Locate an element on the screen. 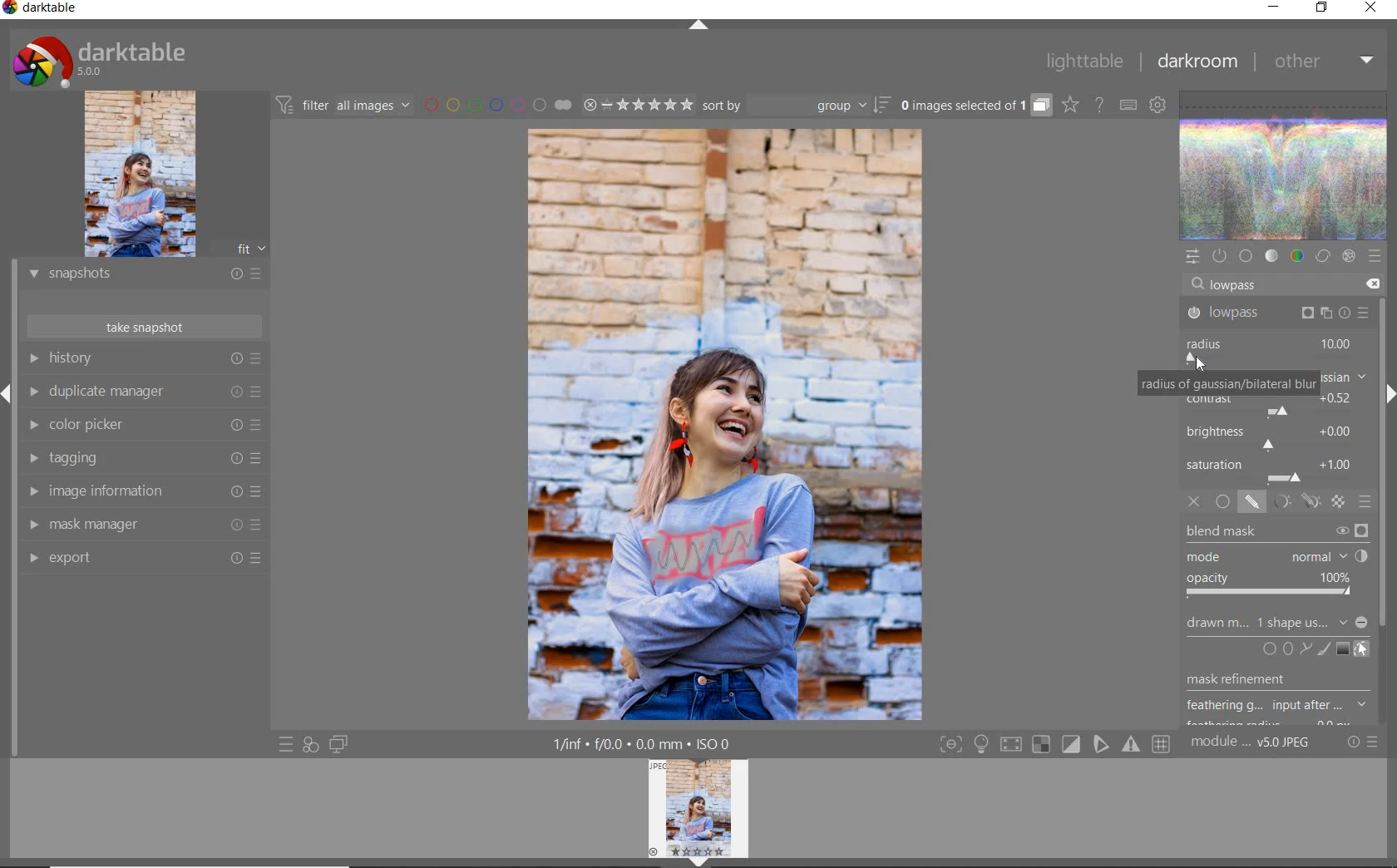  base is located at coordinates (1246, 256).